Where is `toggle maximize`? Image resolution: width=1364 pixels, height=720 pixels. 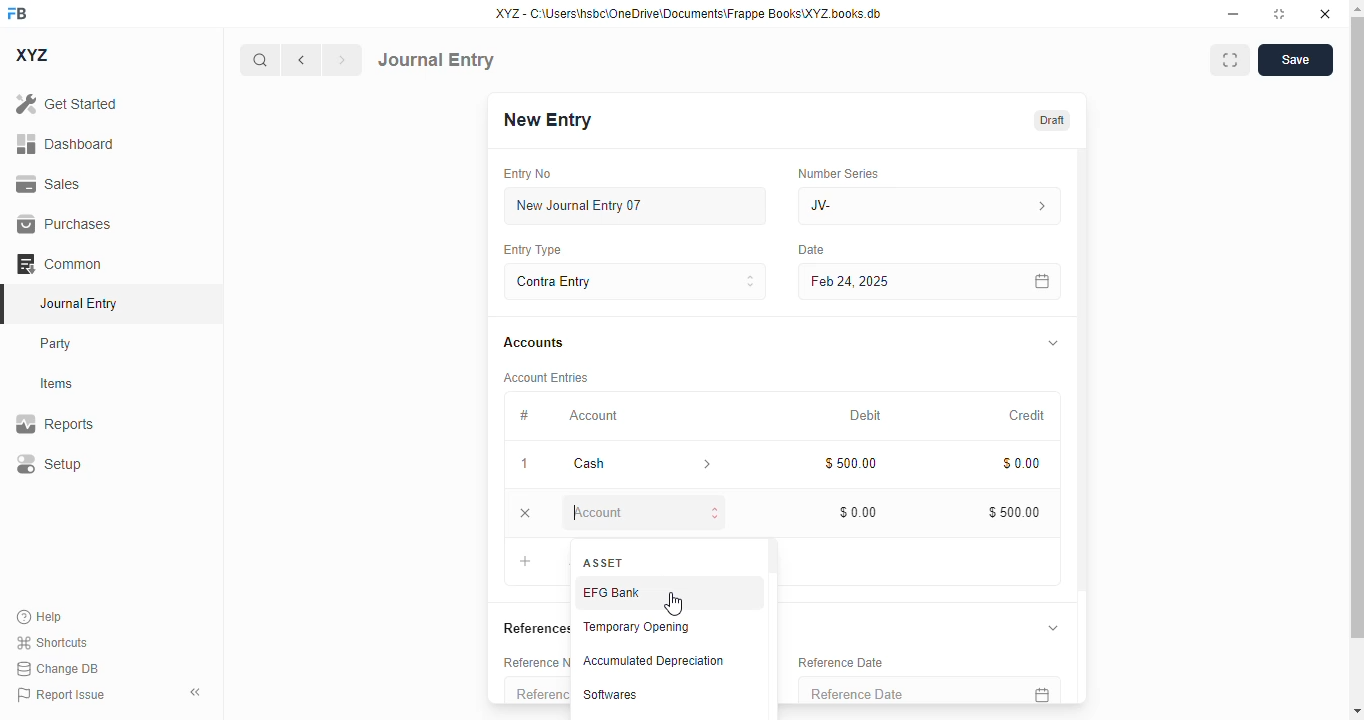 toggle maximize is located at coordinates (1278, 14).